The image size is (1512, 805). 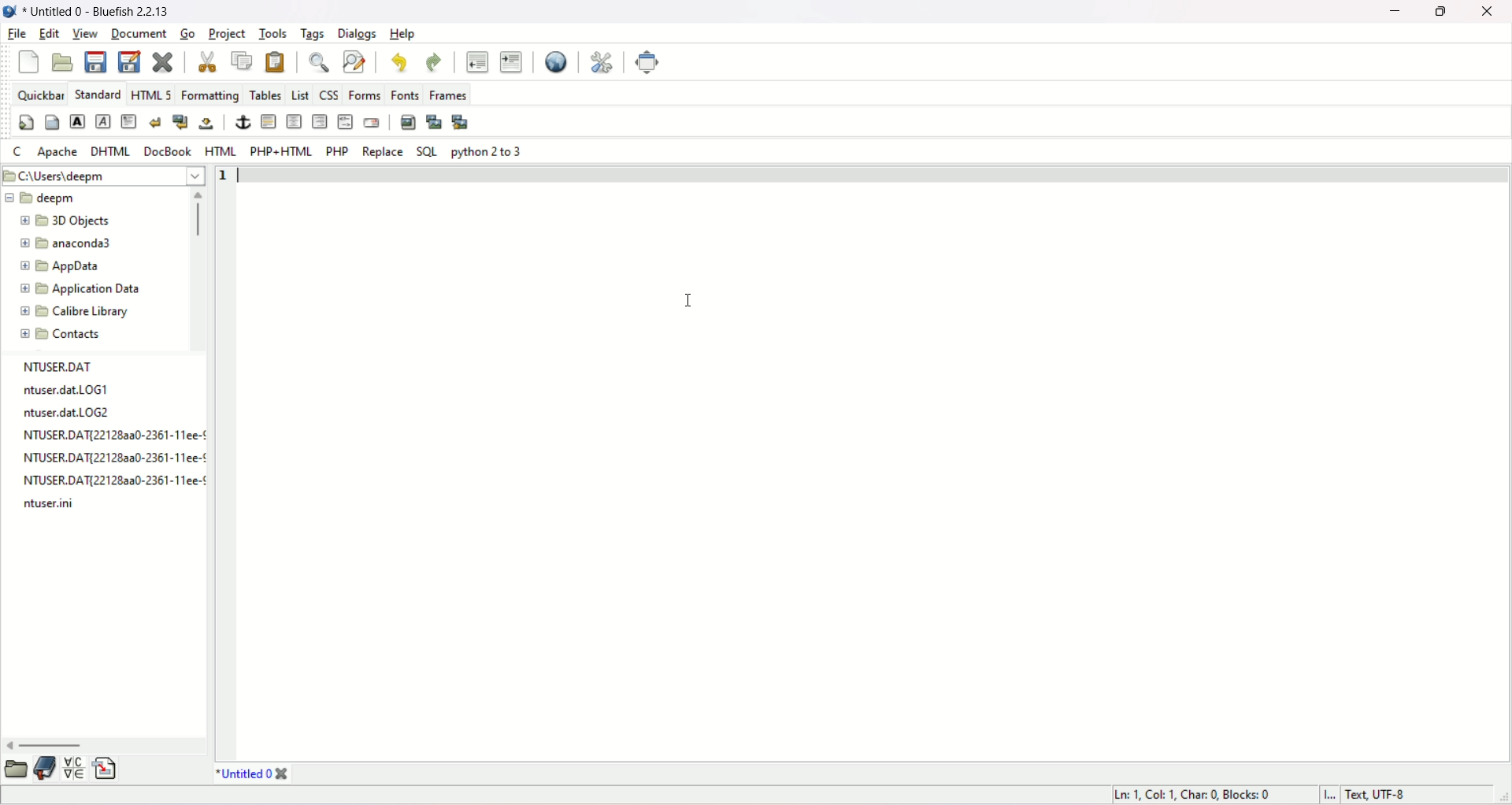 I want to click on folder name, so click(x=68, y=266).